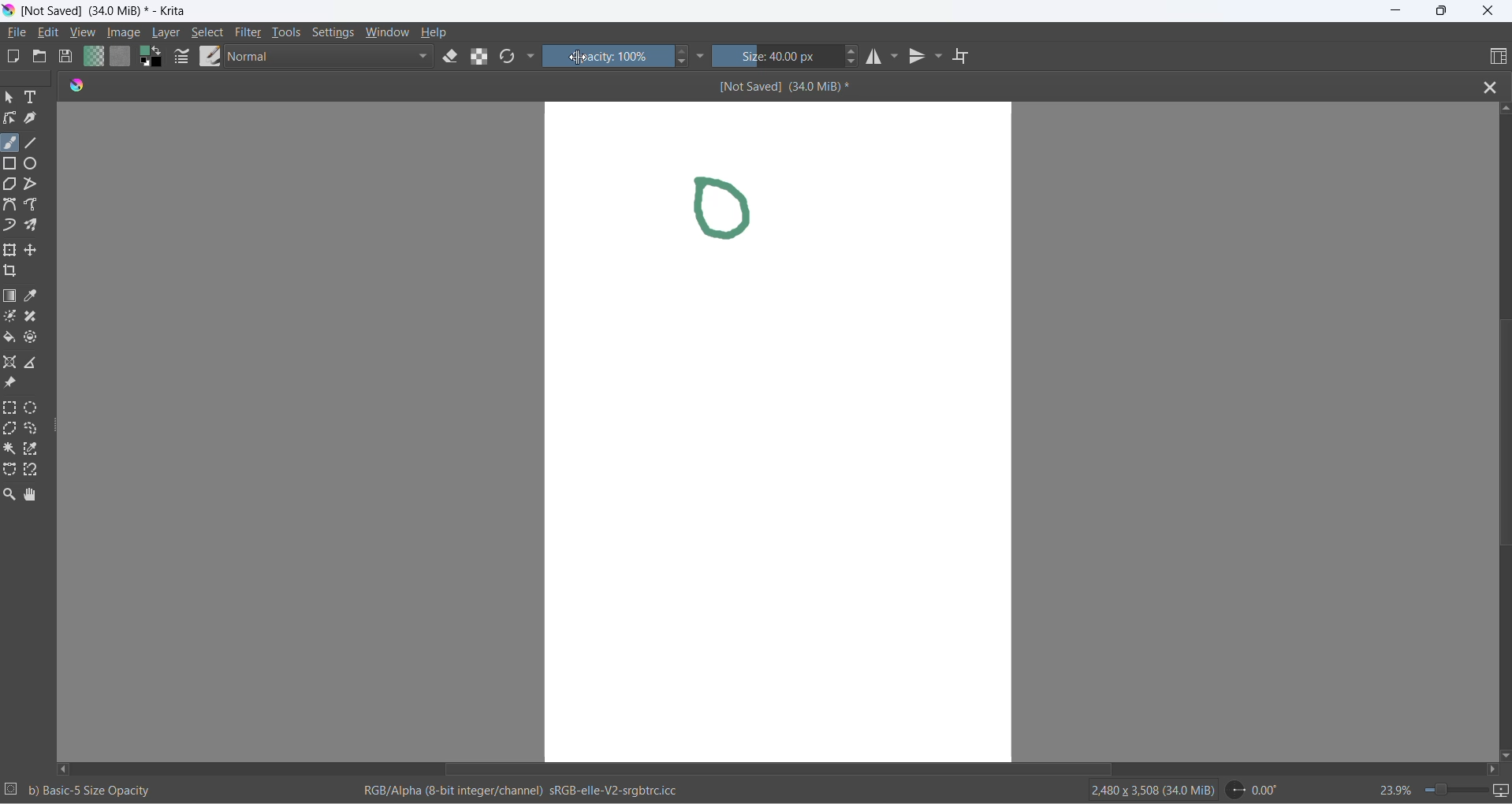 The height and width of the screenshot is (804, 1512). I want to click on RGB/Alpha (8-bit integer/channel) sRGb-elle-V2-srgbtrc.icc, so click(524, 792).